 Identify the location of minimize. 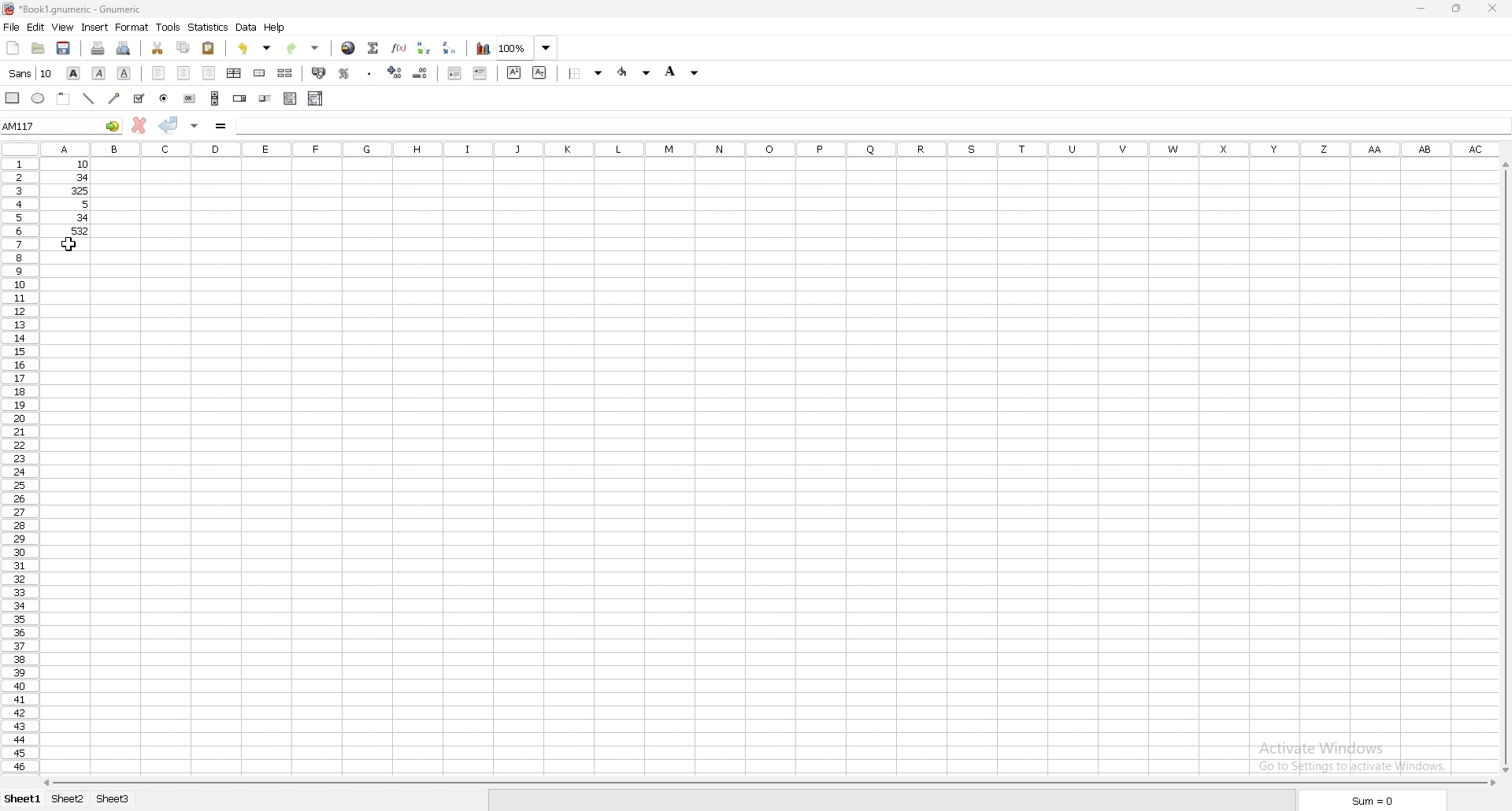
(1419, 9).